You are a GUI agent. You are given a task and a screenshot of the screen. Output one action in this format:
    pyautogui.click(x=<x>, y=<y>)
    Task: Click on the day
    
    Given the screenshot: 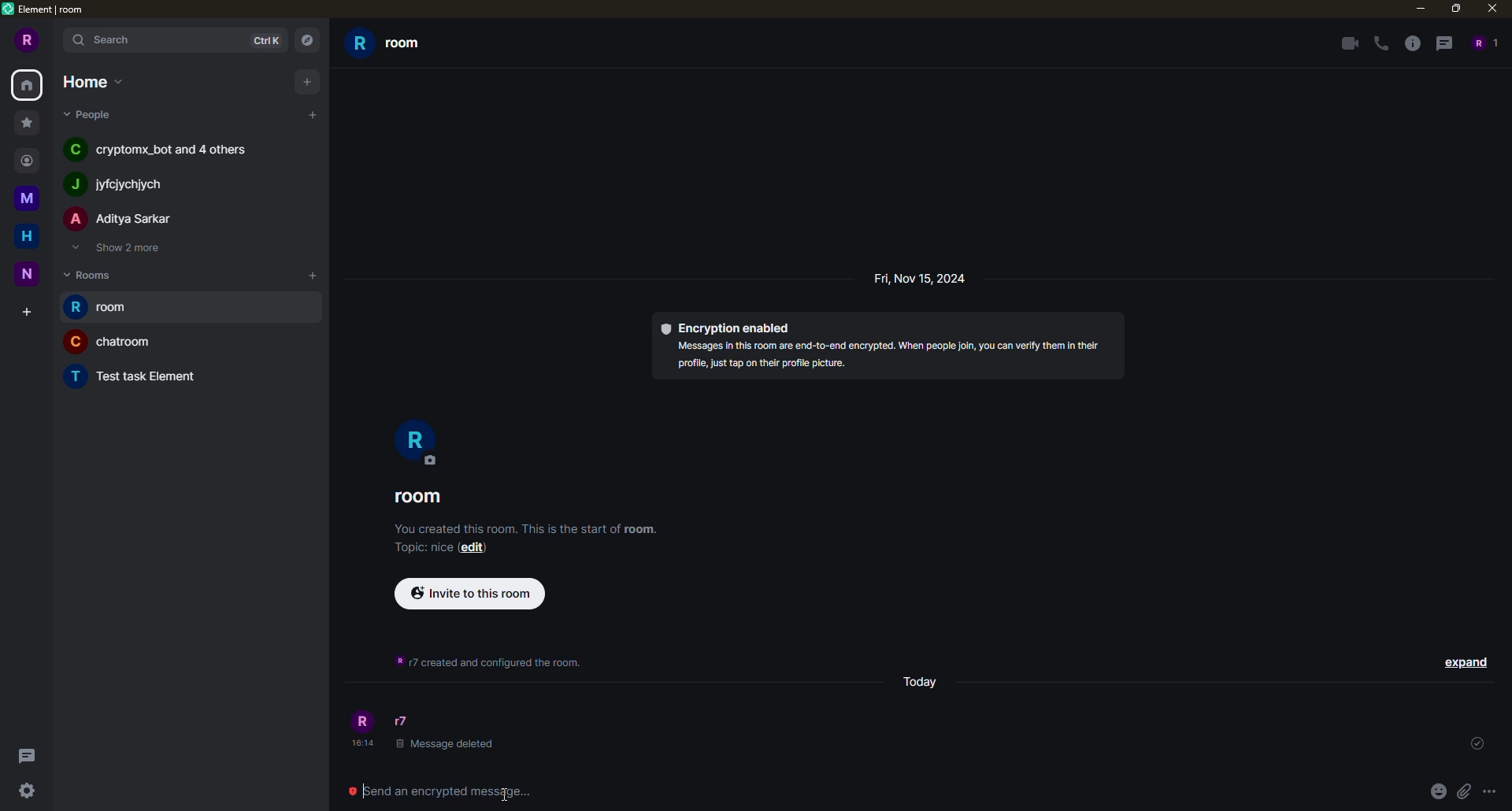 What is the action you would take?
    pyautogui.click(x=920, y=683)
    